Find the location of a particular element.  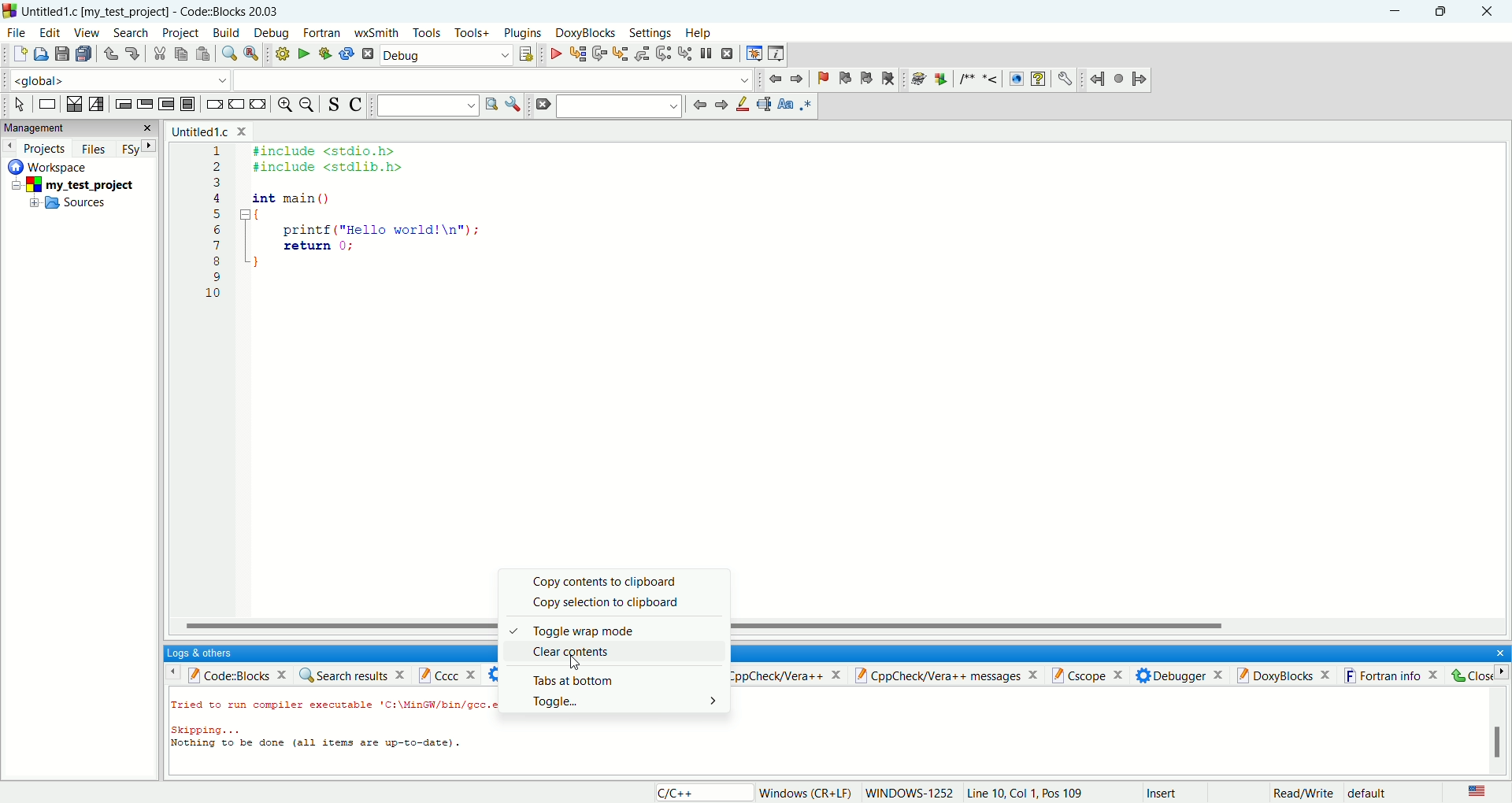

CppCheck/vera++ is located at coordinates (787, 676).